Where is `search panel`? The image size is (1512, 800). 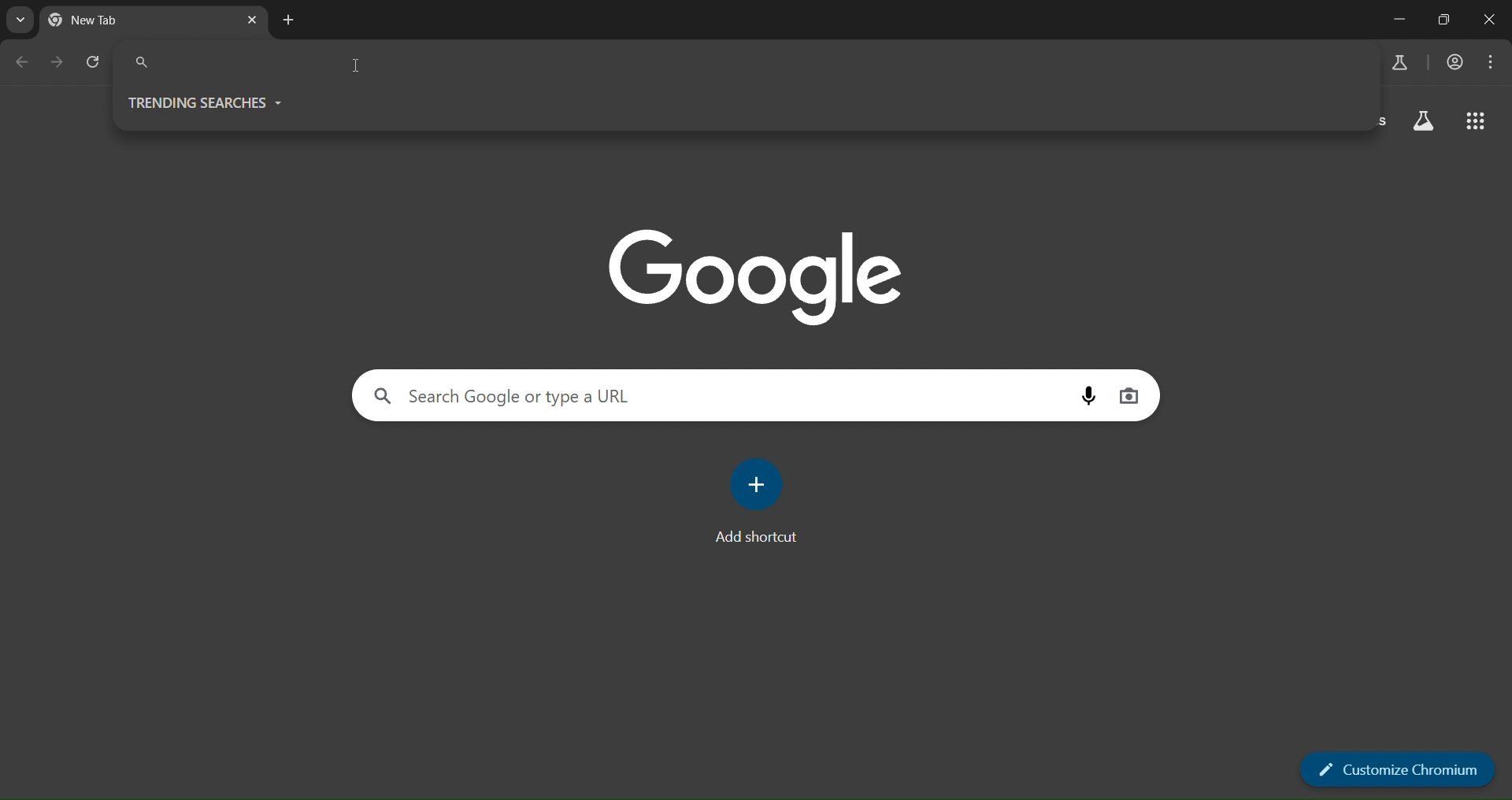
search panel is located at coordinates (263, 63).